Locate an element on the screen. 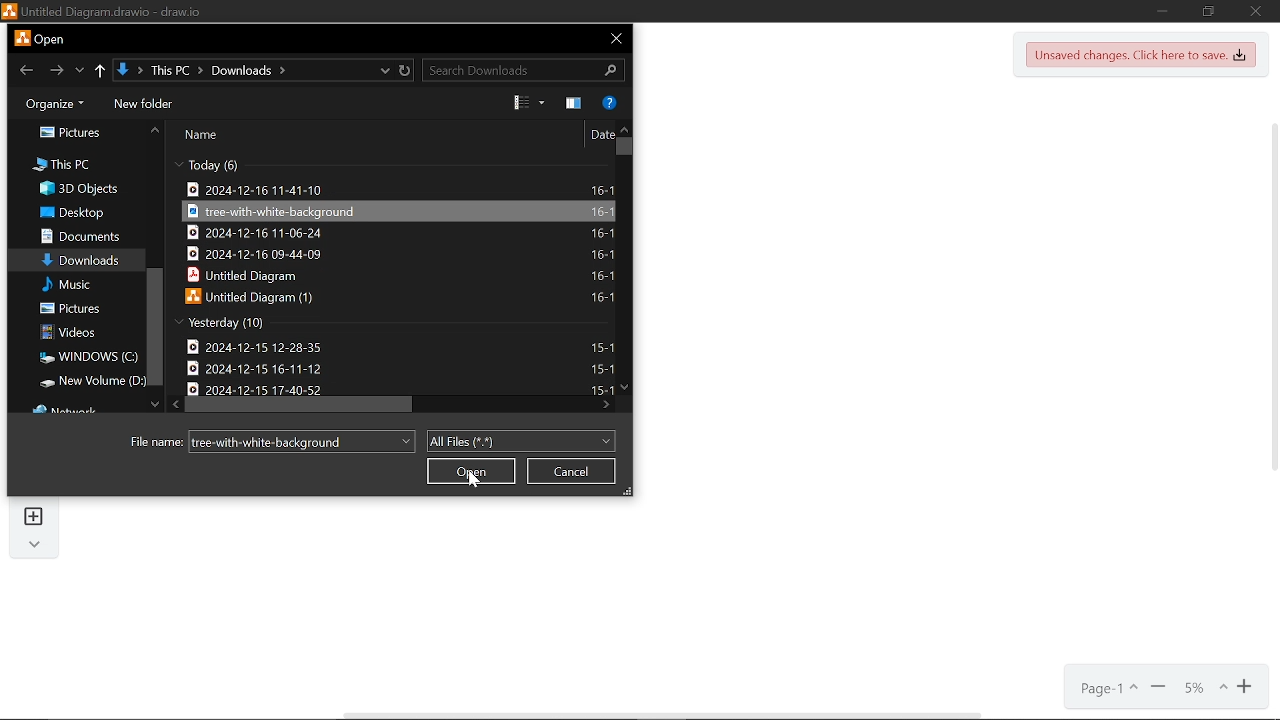 The image size is (1280, 720). Search is located at coordinates (522, 71).